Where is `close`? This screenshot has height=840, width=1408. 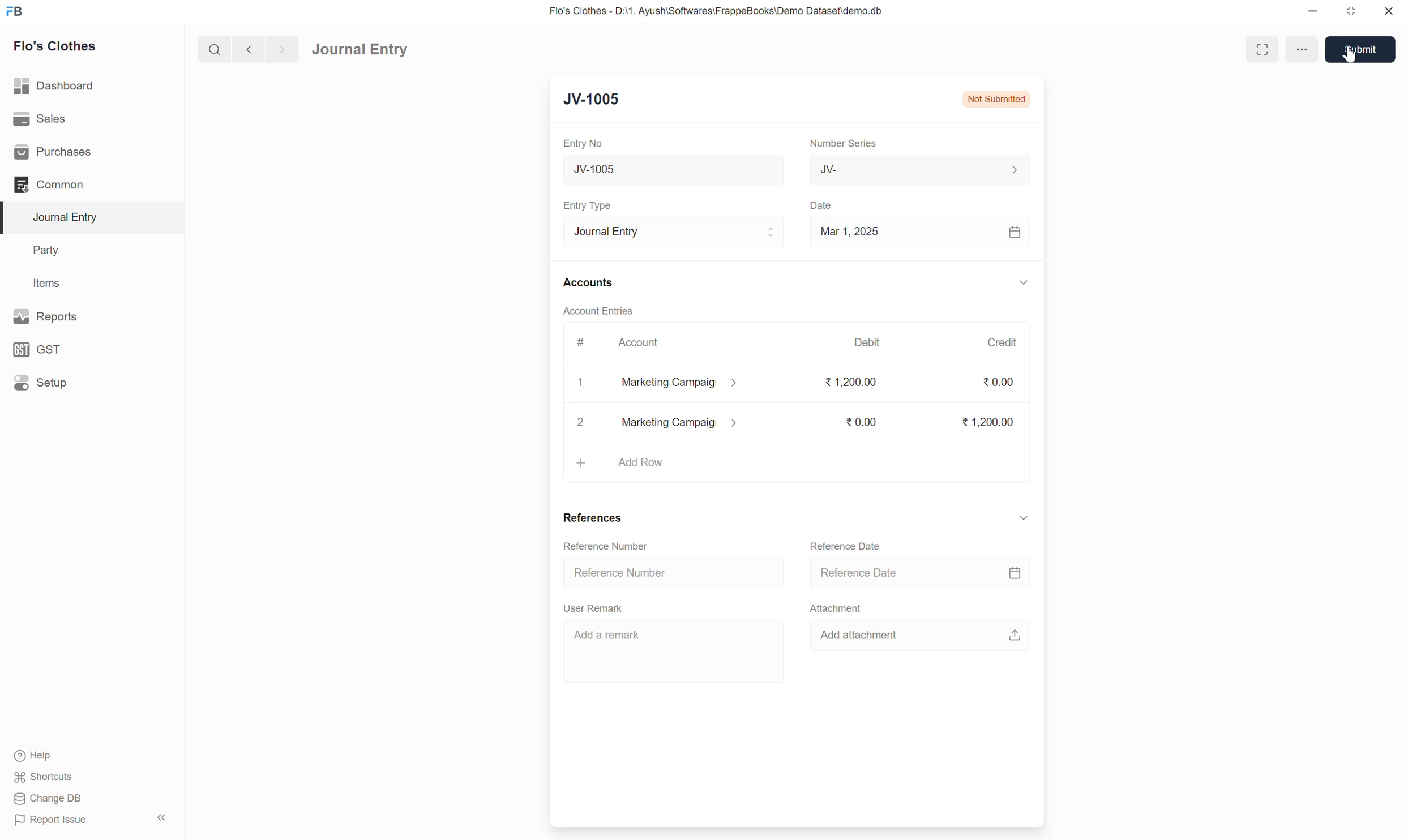 close is located at coordinates (1389, 11).